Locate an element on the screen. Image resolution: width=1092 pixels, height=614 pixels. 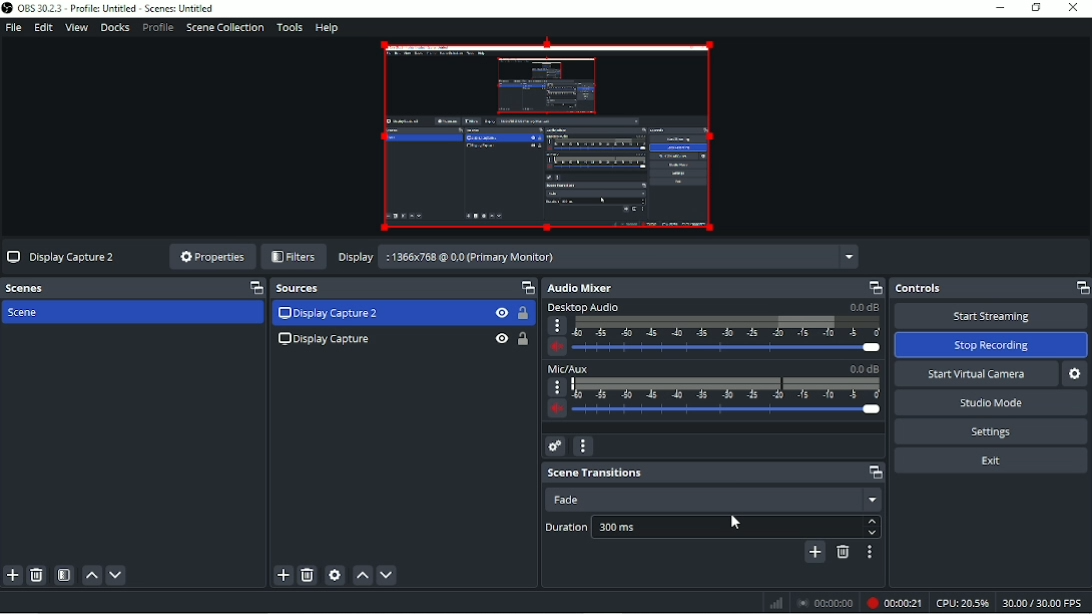
Edit is located at coordinates (43, 27).